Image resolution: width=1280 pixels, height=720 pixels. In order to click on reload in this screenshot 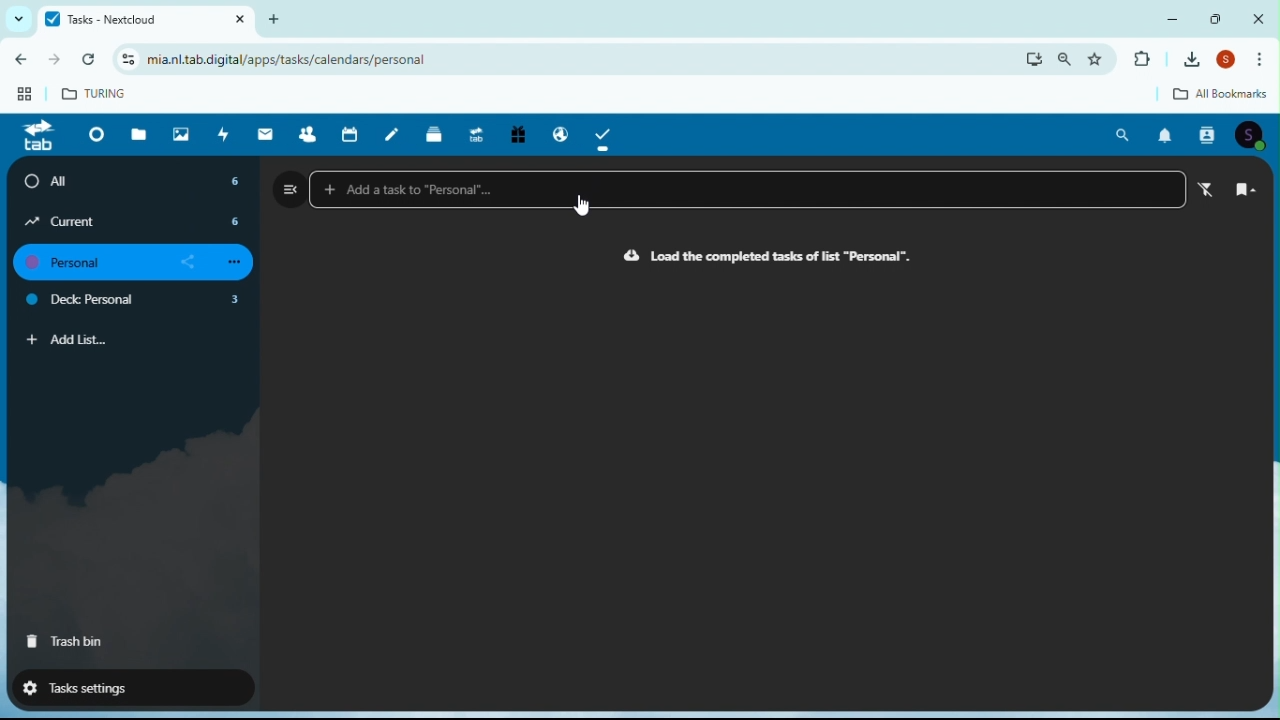, I will do `click(93, 60)`.